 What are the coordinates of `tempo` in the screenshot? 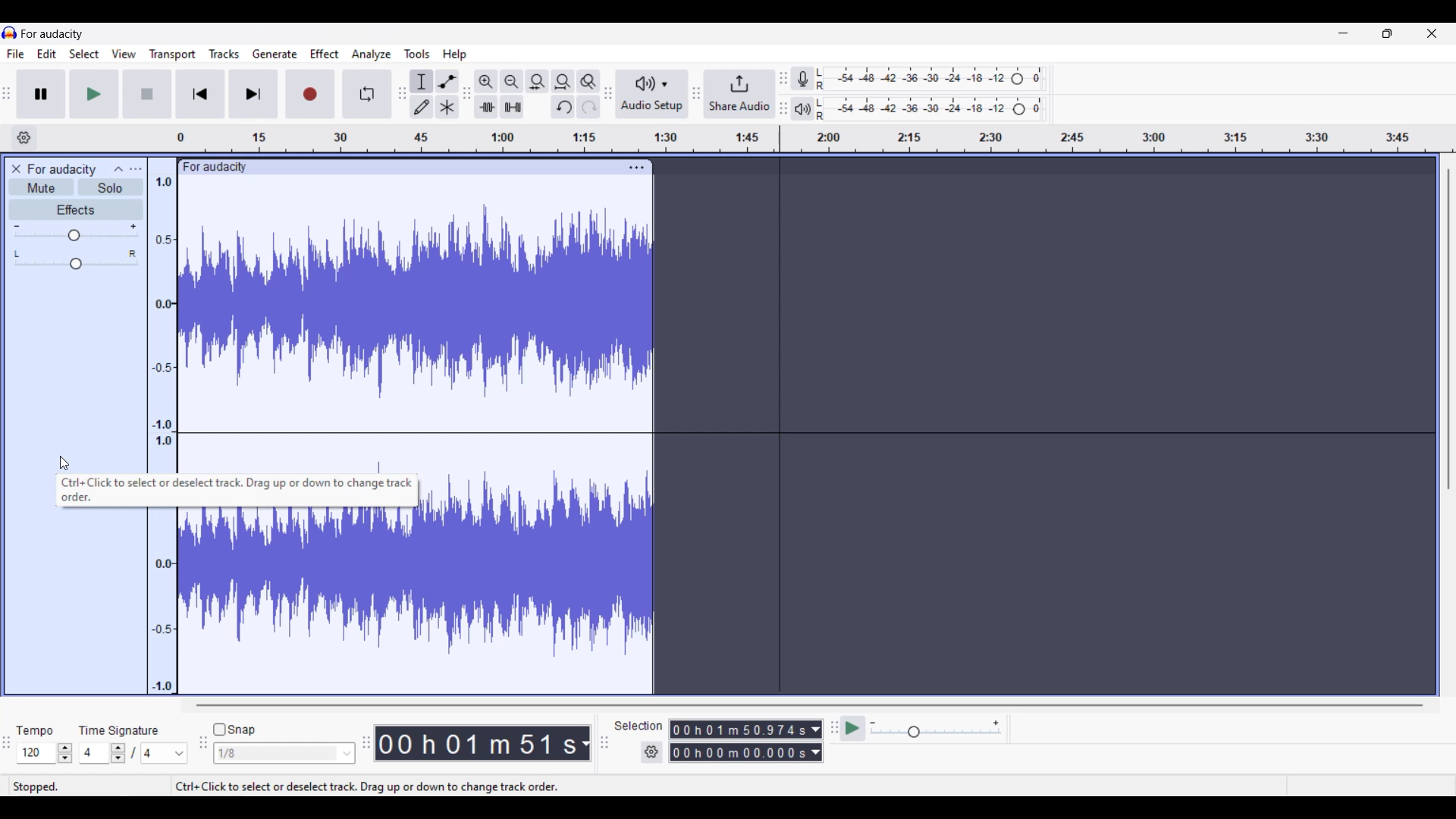 It's located at (35, 730).